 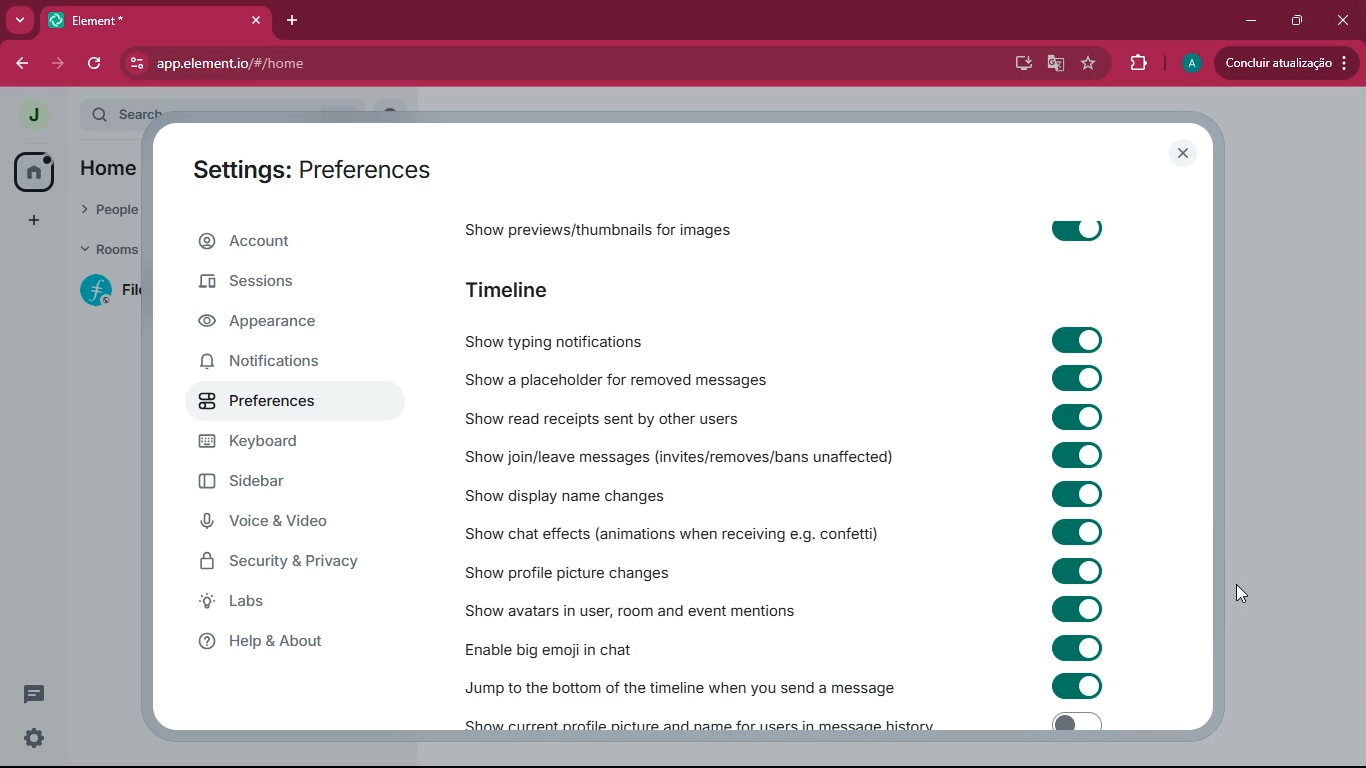 I want to click on restore down, so click(x=1298, y=21).